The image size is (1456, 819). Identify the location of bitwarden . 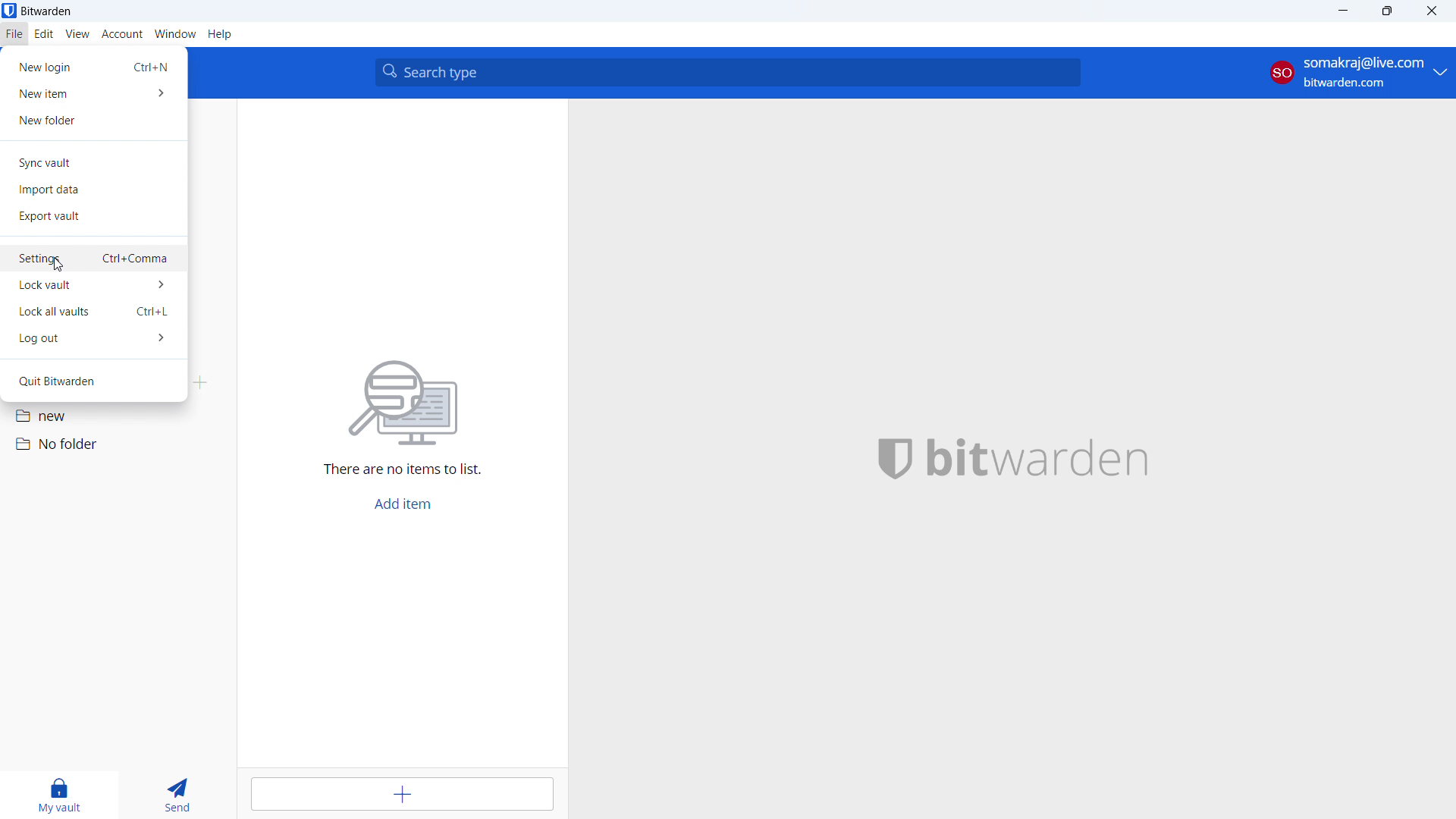
(1059, 460).